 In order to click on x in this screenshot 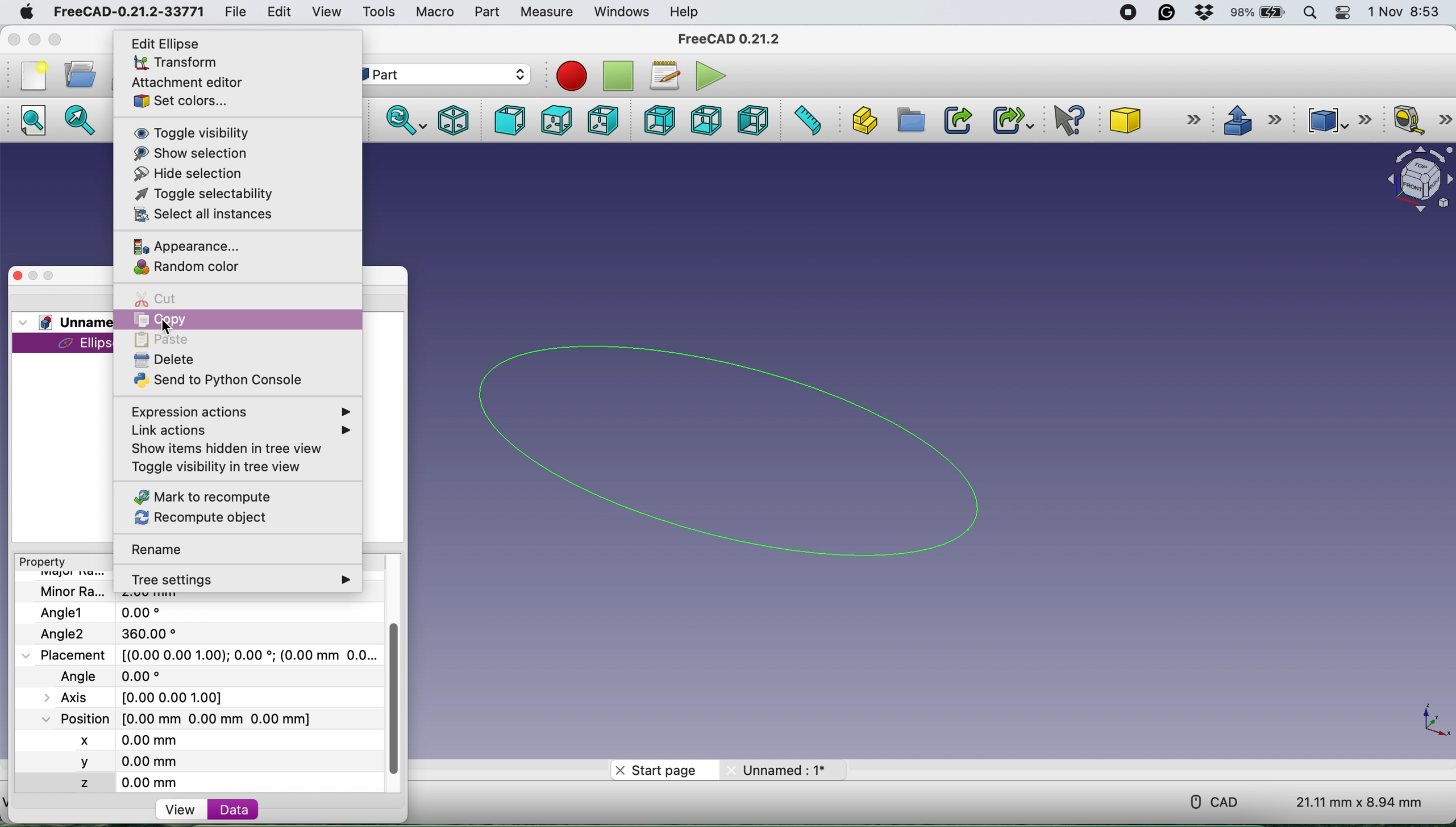, I will do `click(101, 738)`.